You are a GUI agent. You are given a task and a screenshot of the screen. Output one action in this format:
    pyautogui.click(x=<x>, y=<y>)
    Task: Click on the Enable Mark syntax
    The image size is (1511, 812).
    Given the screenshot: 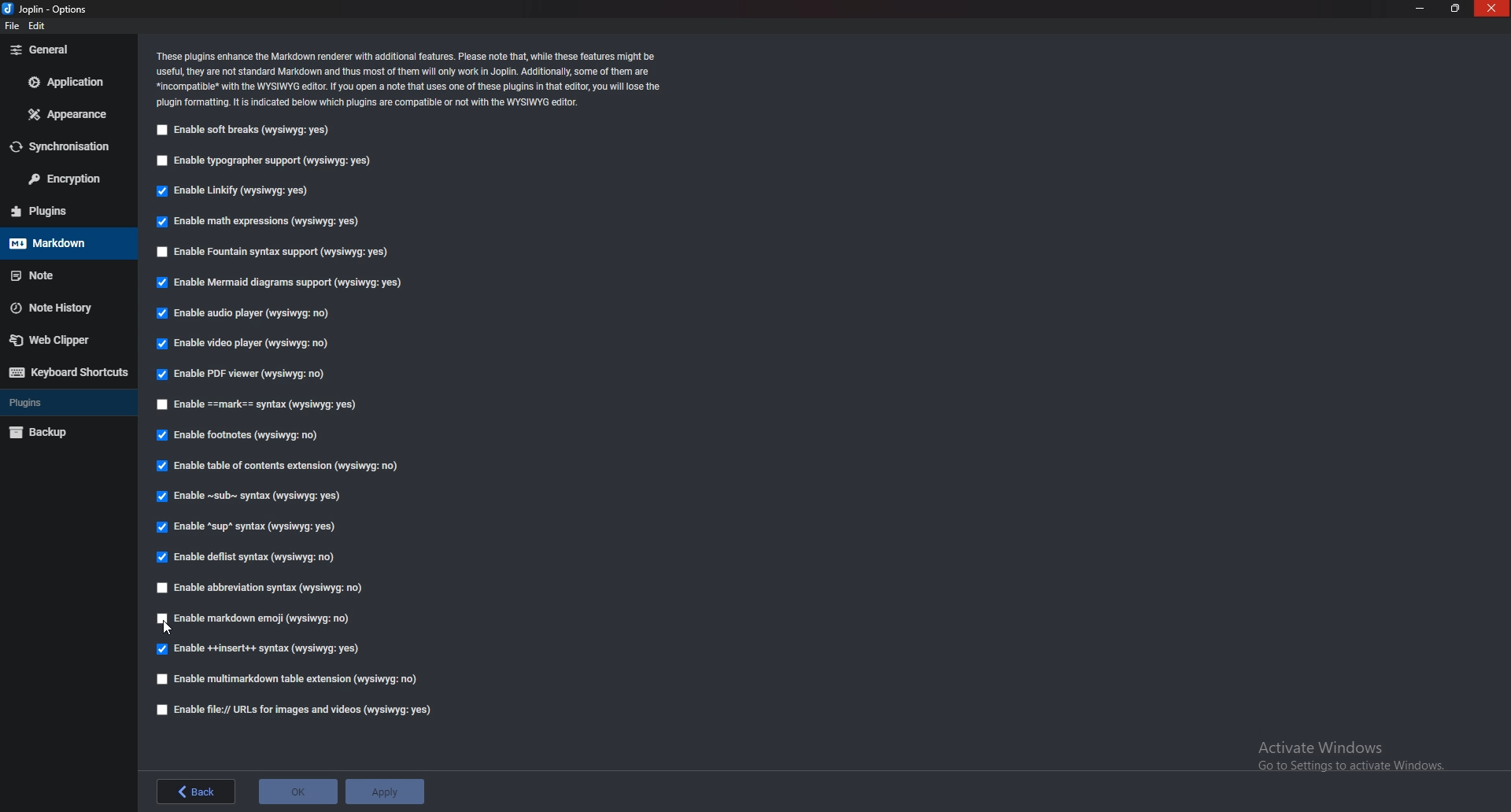 What is the action you would take?
    pyautogui.click(x=279, y=404)
    